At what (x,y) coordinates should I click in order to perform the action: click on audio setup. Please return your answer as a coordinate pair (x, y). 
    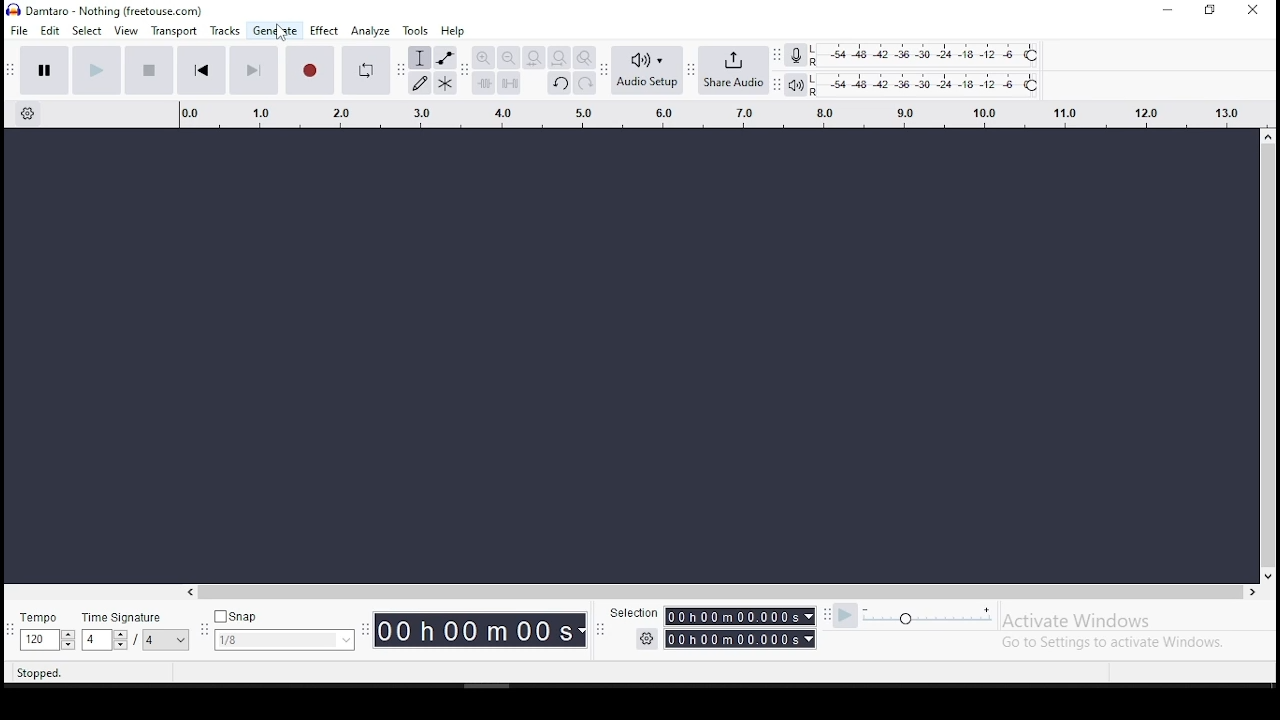
    Looking at the image, I should click on (647, 71).